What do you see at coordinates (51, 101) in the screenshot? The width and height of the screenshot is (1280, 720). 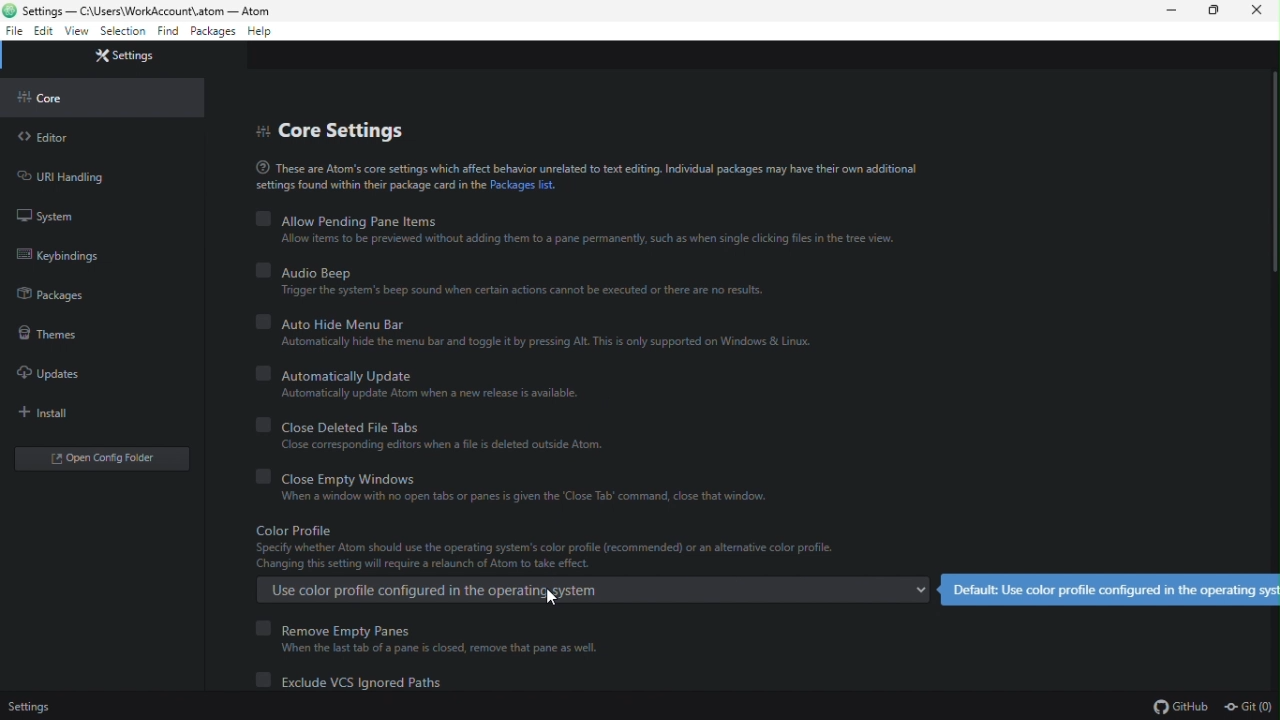 I see `core` at bounding box center [51, 101].